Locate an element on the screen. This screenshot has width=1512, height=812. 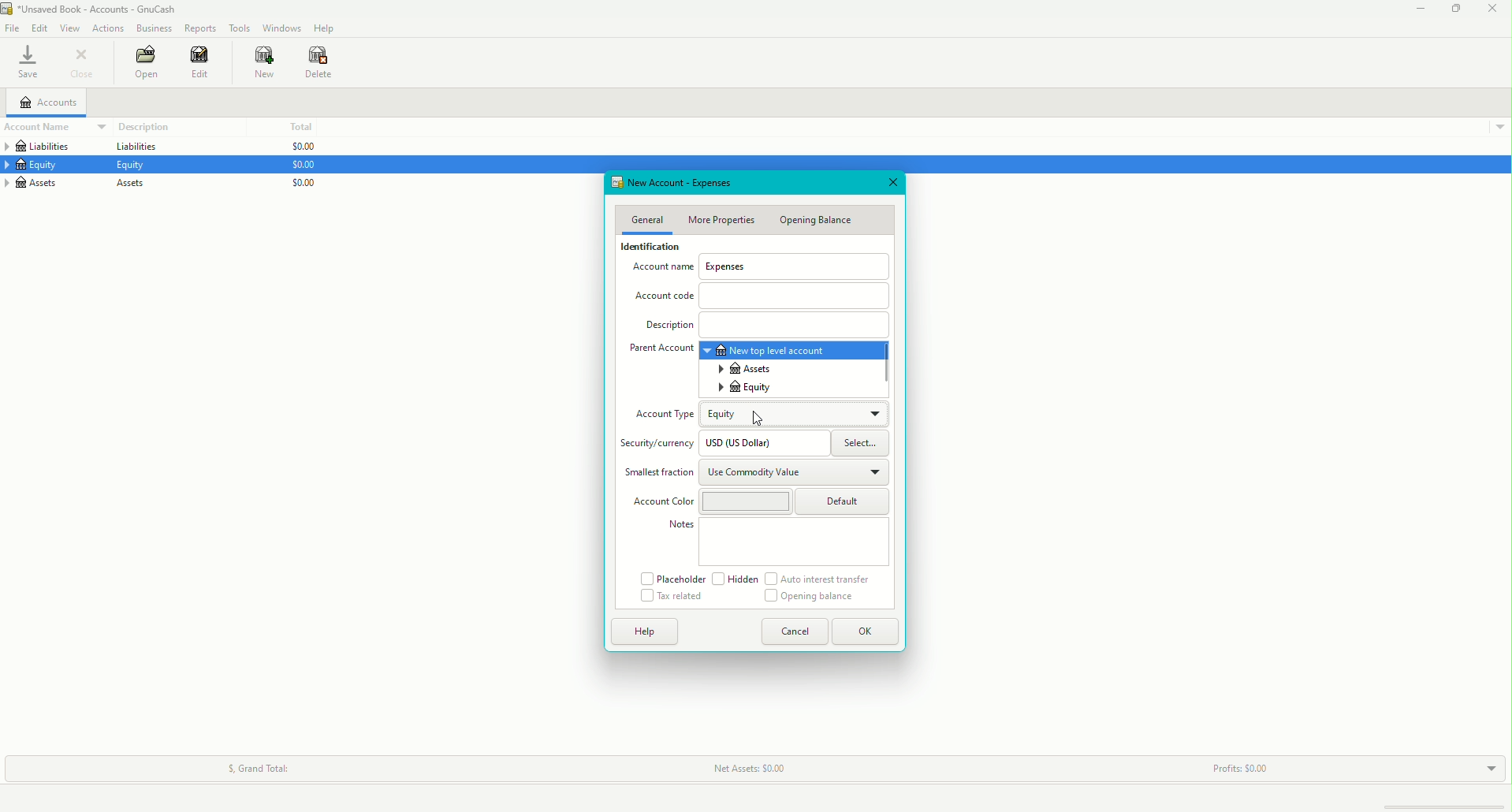
File is located at coordinates (12, 28).